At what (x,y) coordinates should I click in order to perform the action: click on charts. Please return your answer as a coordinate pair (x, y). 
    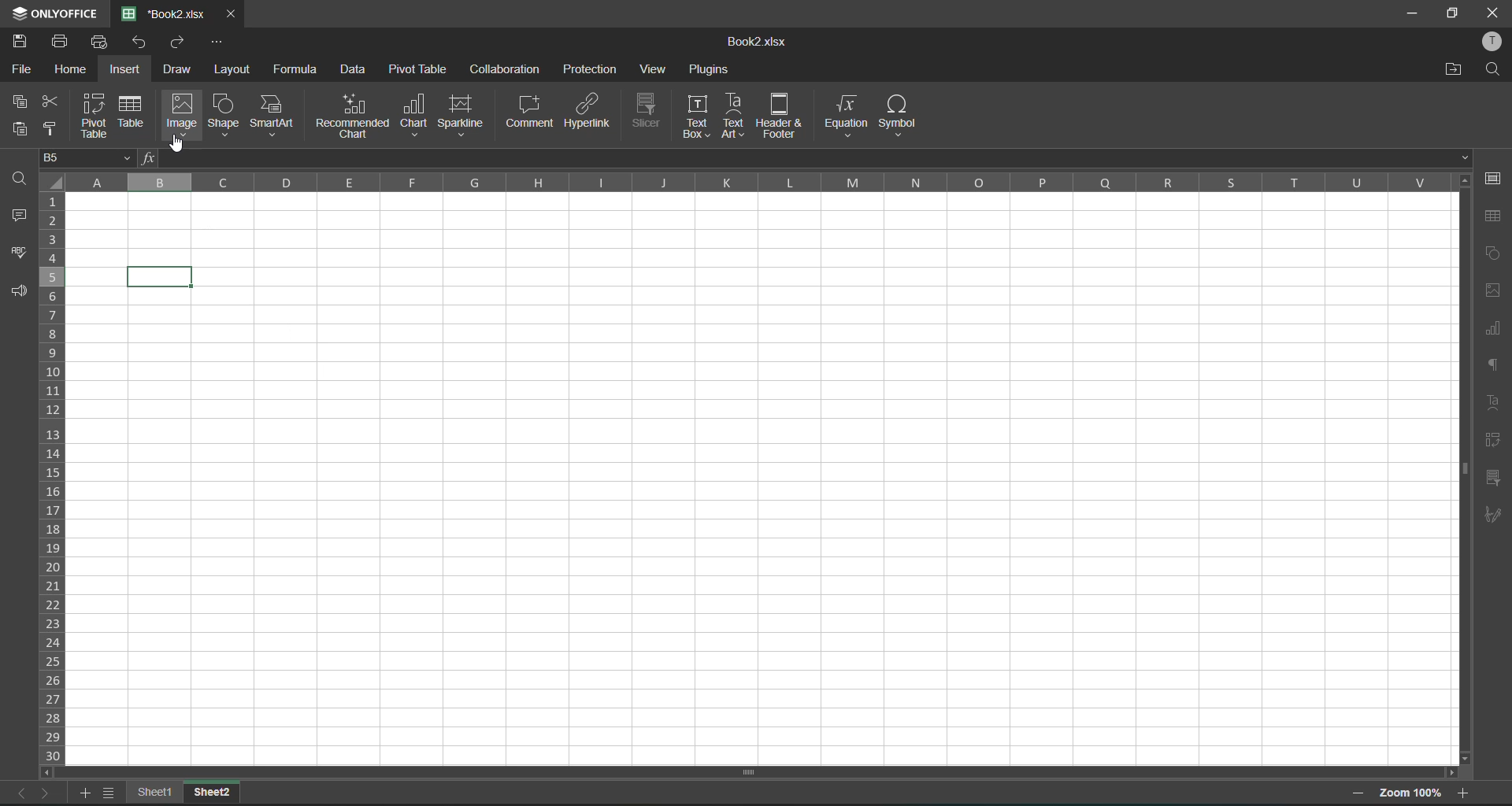
    Looking at the image, I should click on (1494, 331).